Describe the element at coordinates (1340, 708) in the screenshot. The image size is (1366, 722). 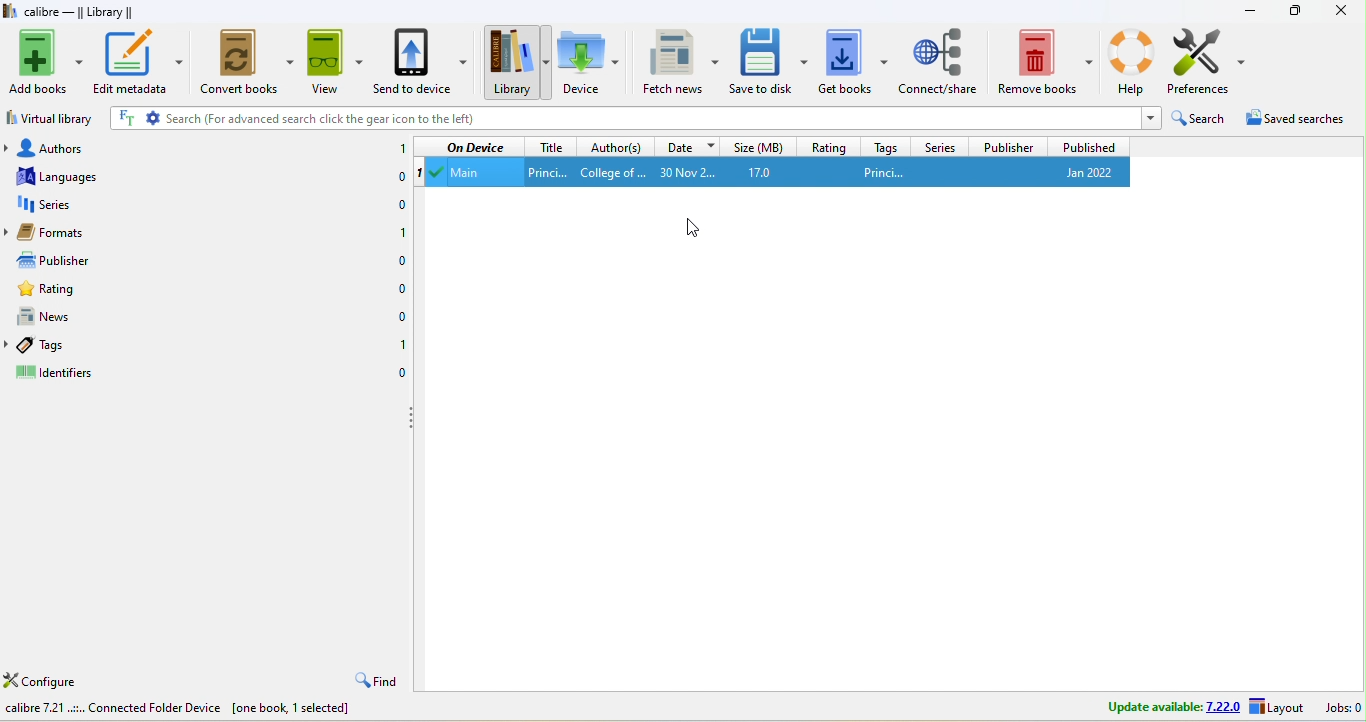
I see `jobs 0` at that location.